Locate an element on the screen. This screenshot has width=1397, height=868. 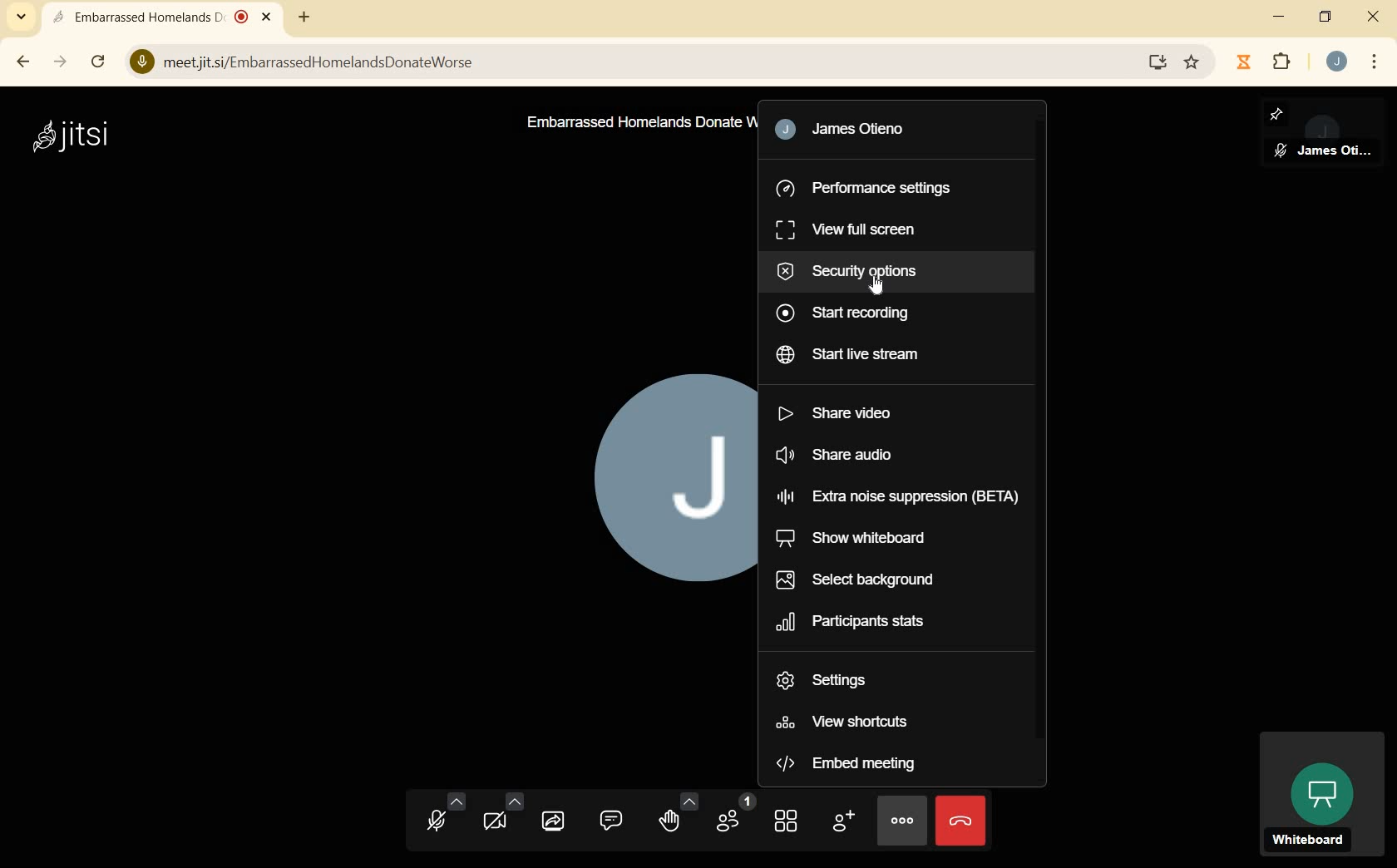
forward is located at coordinates (59, 62).